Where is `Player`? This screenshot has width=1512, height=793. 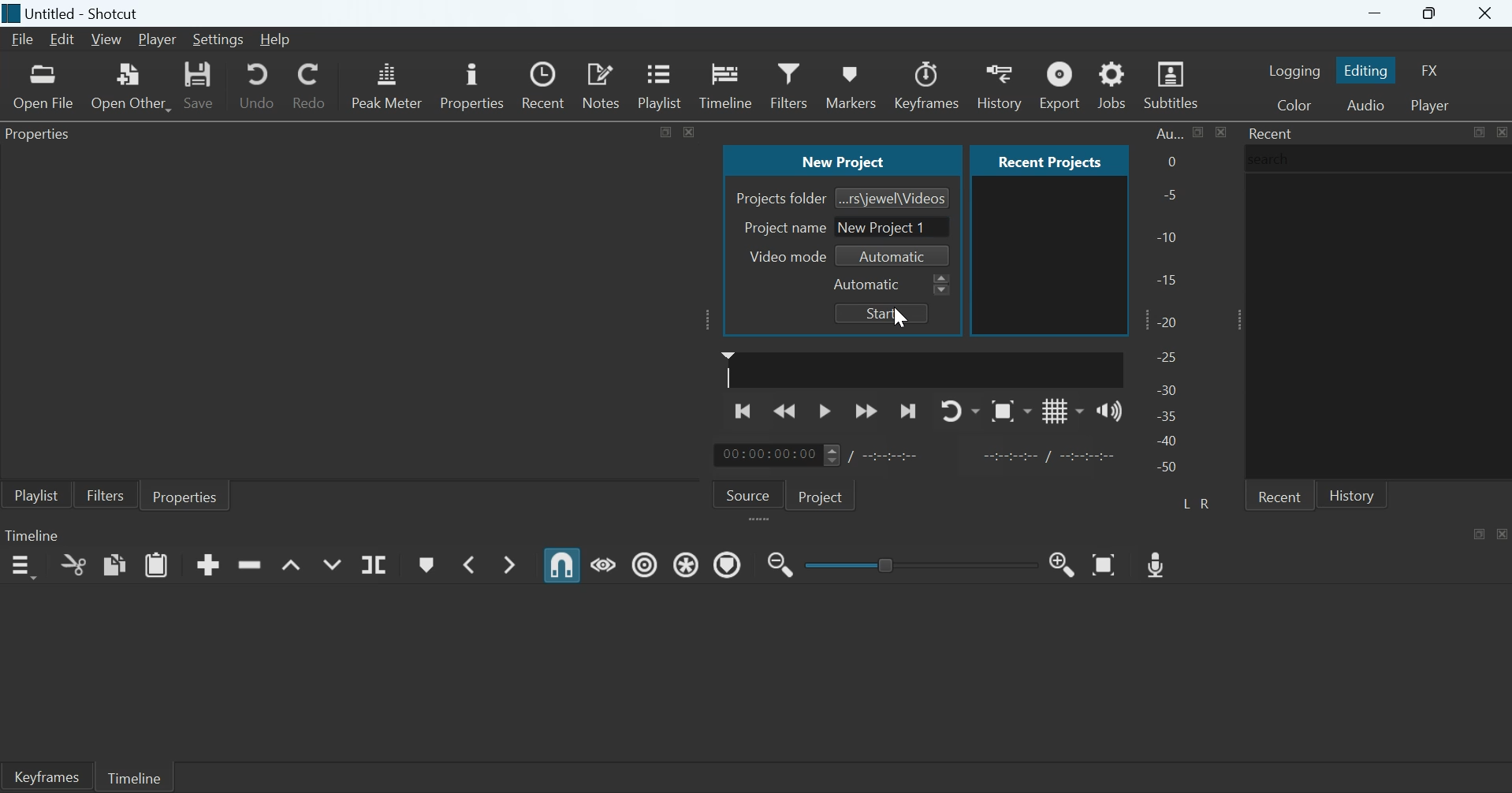
Player is located at coordinates (158, 40).